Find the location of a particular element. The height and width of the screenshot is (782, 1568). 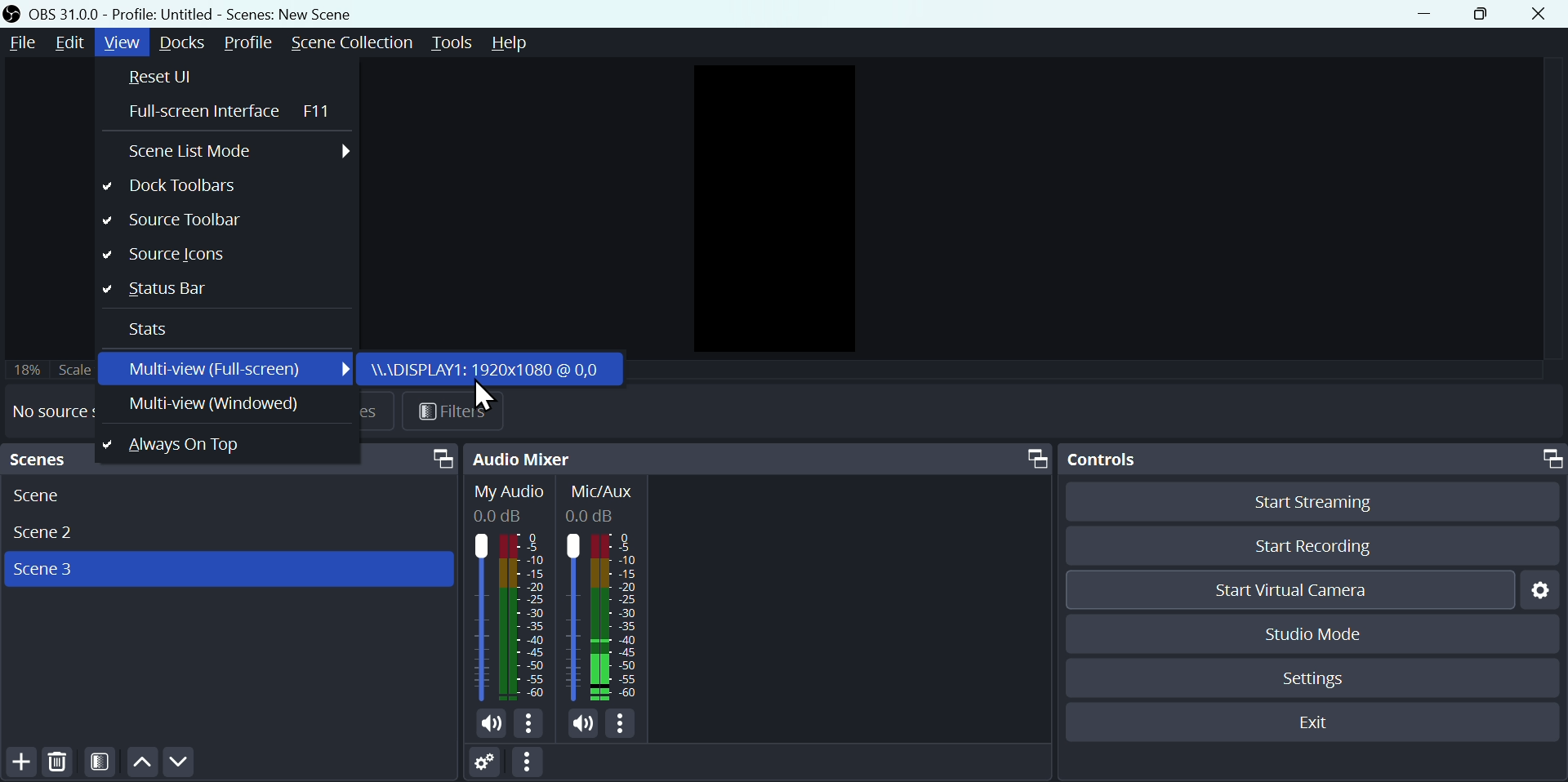

Desktop Audio is located at coordinates (510, 593).